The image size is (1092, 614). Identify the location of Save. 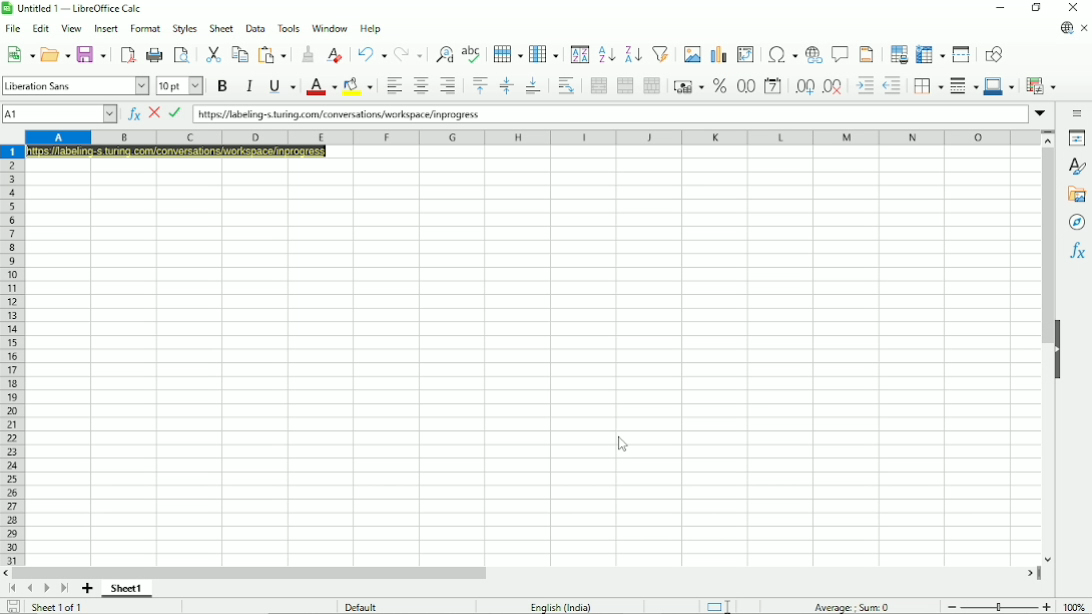
(92, 53).